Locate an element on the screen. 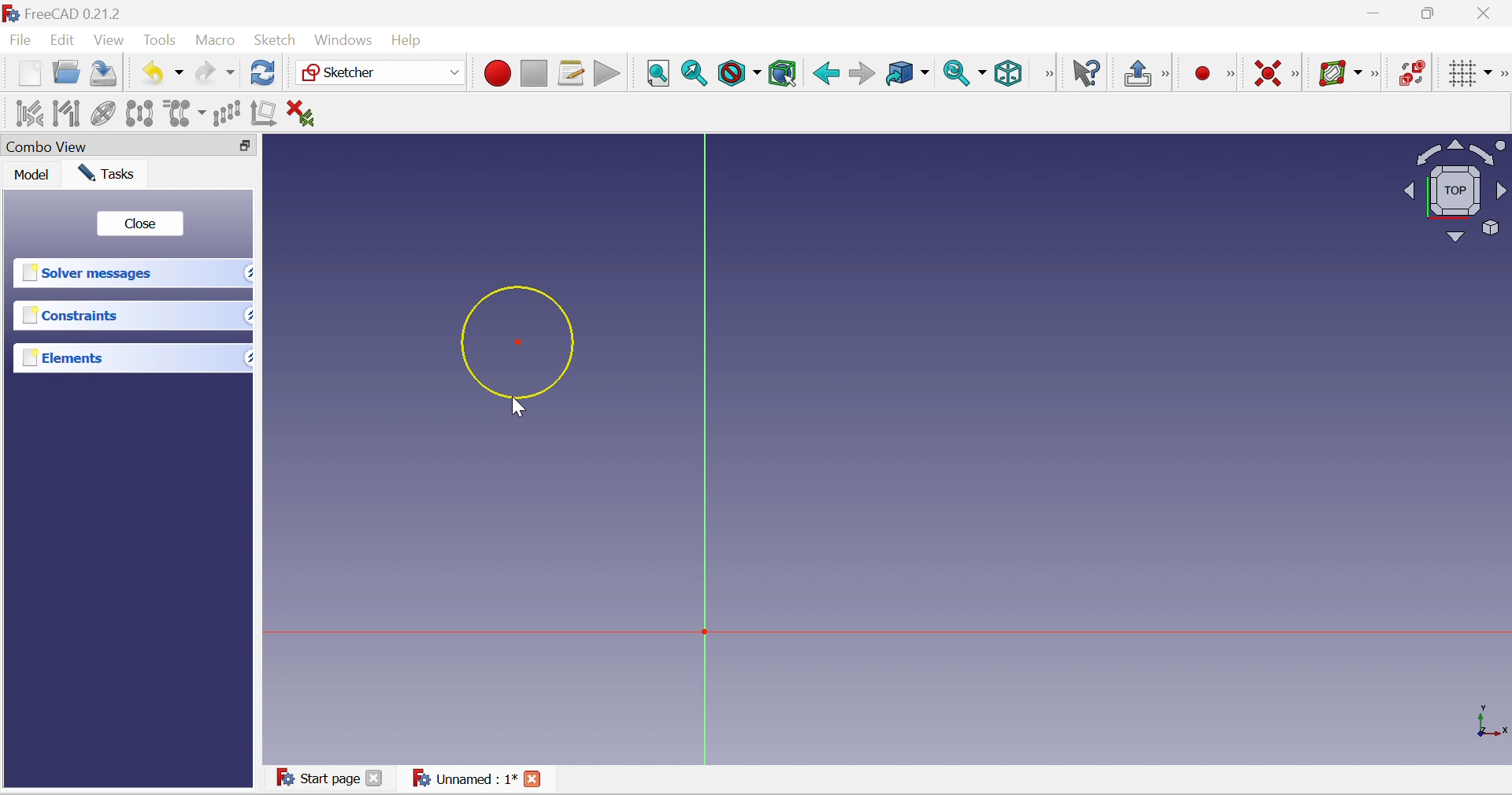 The image size is (1512, 795). Tools is located at coordinates (163, 39).